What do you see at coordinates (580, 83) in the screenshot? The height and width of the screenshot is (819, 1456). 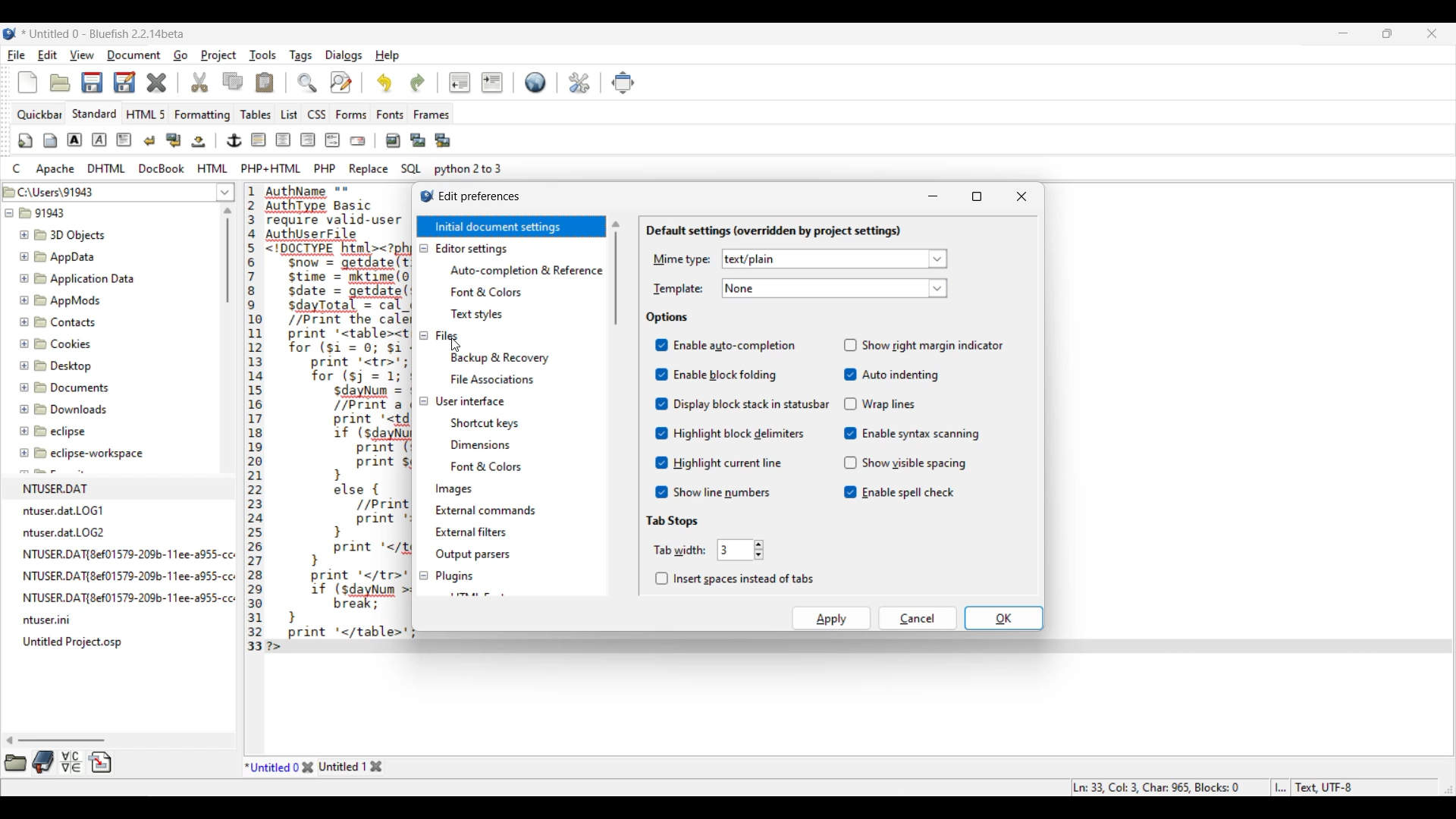 I see `Edit preferences highlighted by cursor` at bounding box center [580, 83].